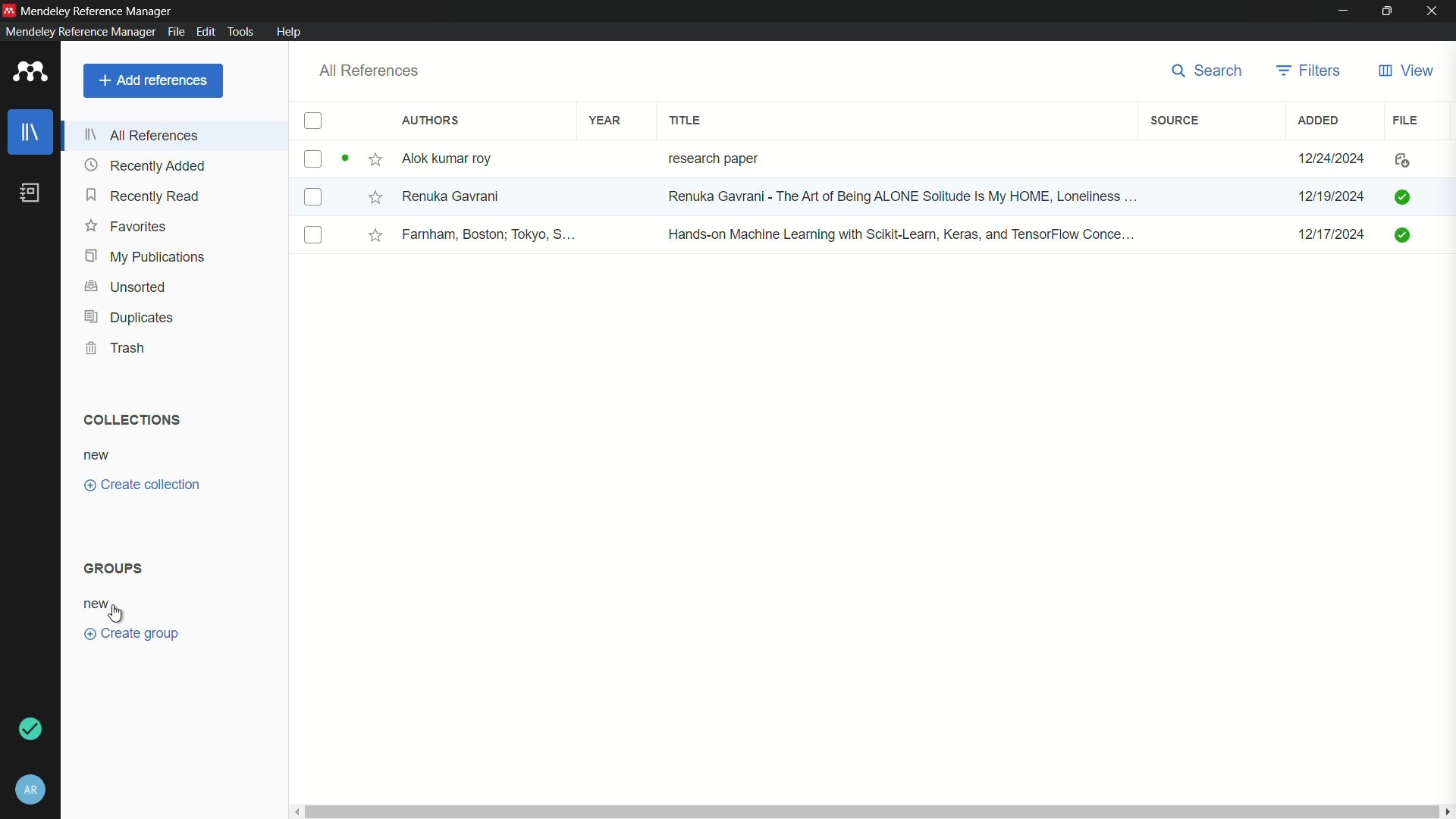  What do you see at coordinates (240, 31) in the screenshot?
I see `tools menu` at bounding box center [240, 31].